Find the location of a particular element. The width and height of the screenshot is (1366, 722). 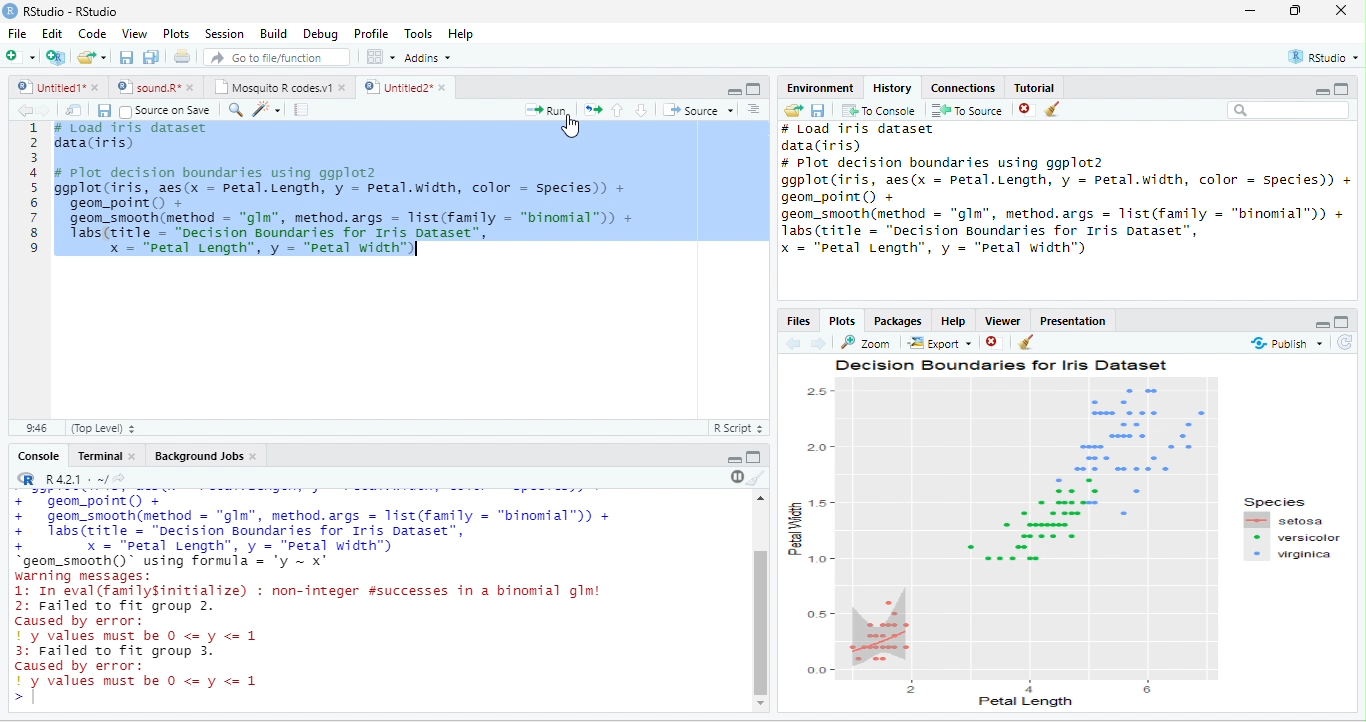

Packages is located at coordinates (898, 322).